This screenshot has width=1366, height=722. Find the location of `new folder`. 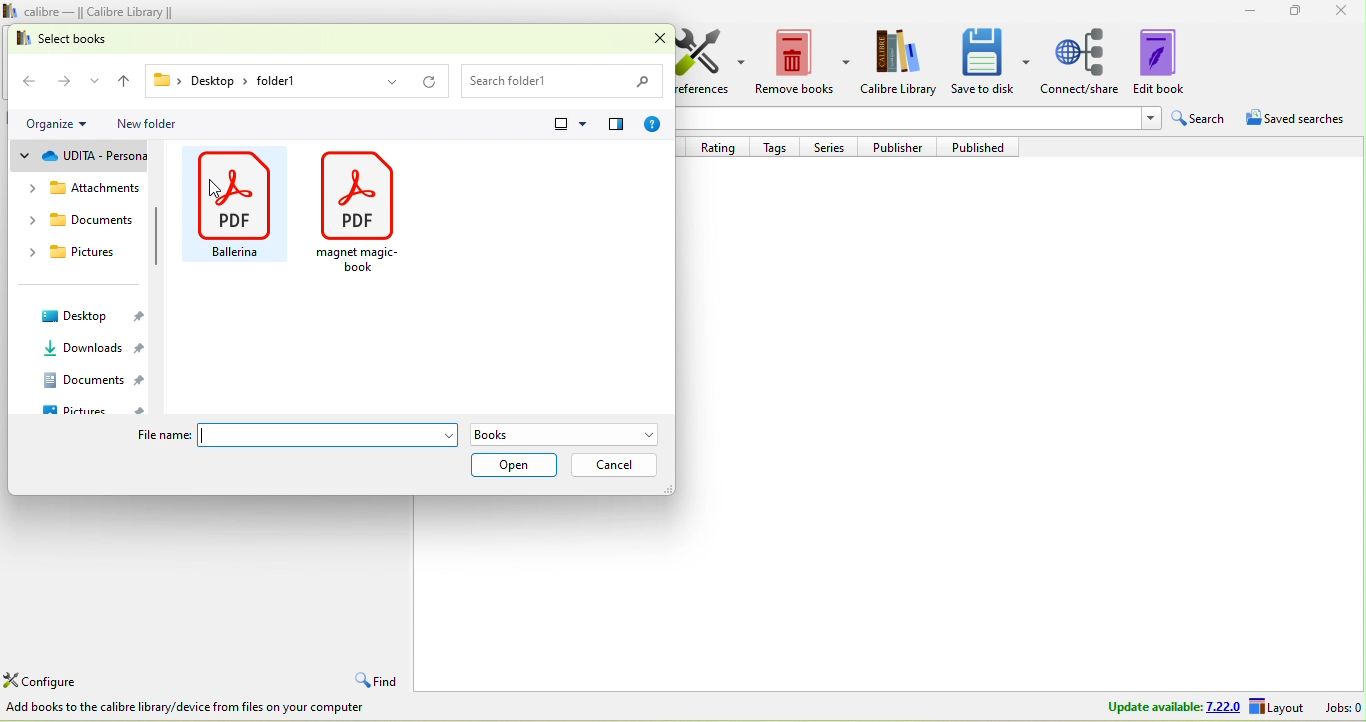

new folder is located at coordinates (150, 124).